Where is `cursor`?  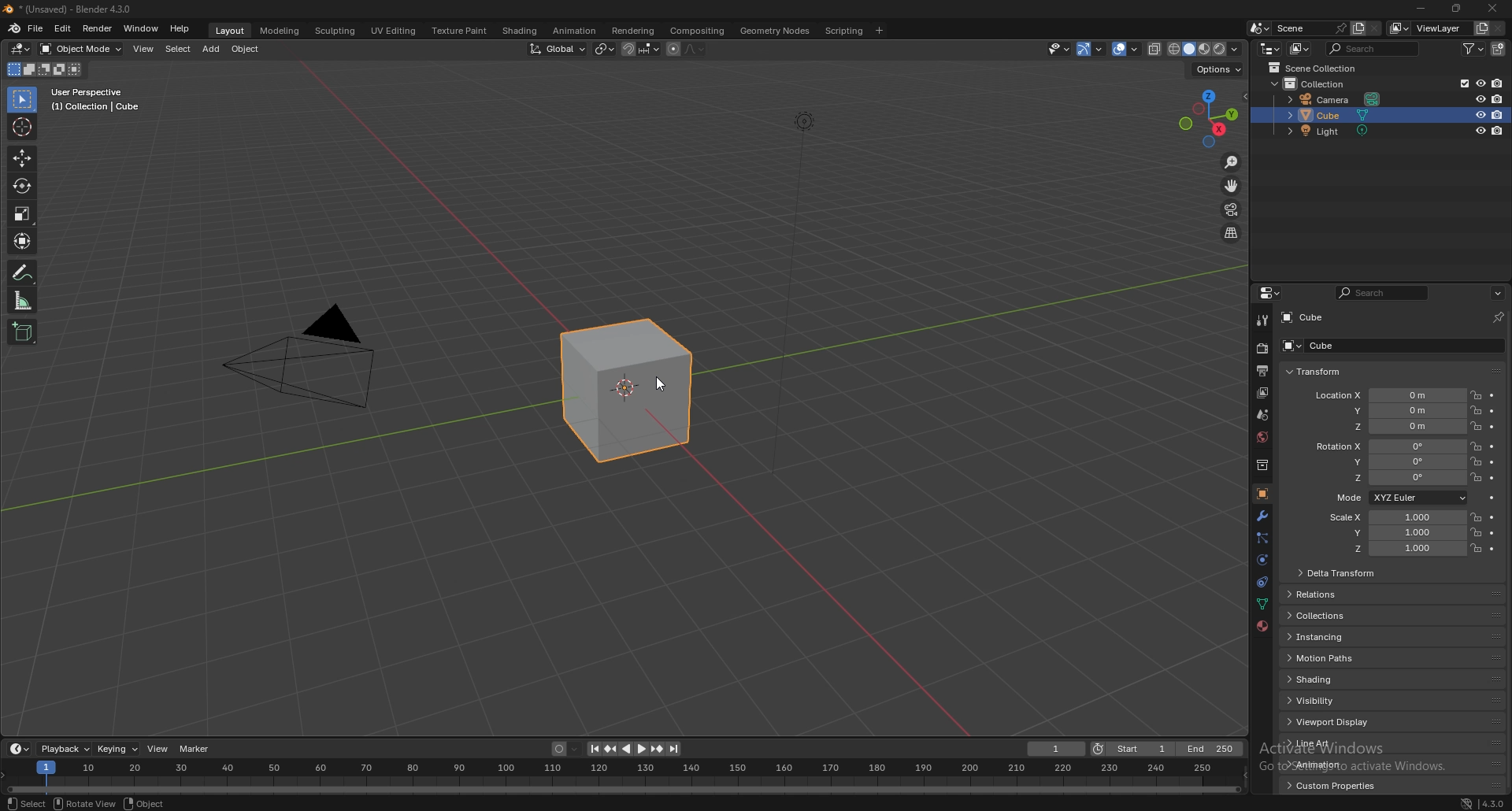
cursor is located at coordinates (661, 379).